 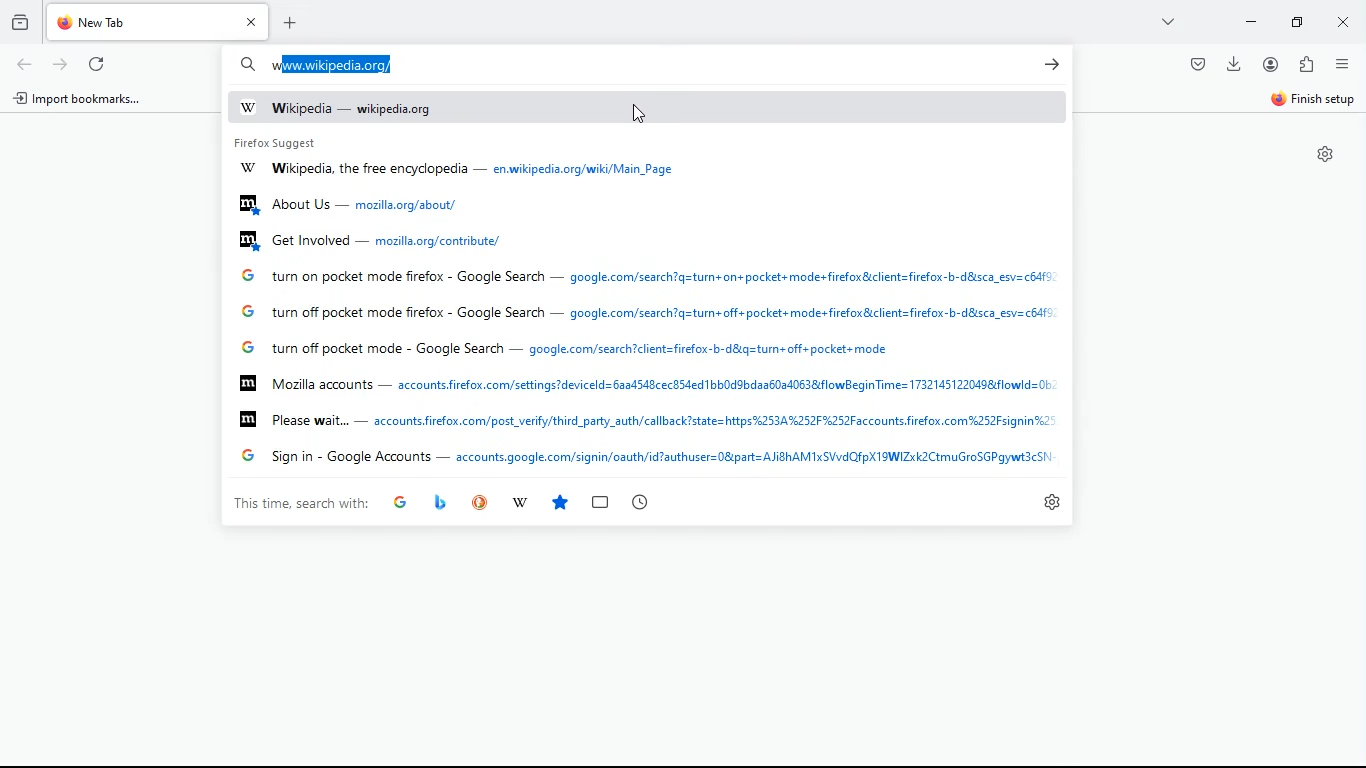 I want to click on import bookmarks, so click(x=85, y=101).